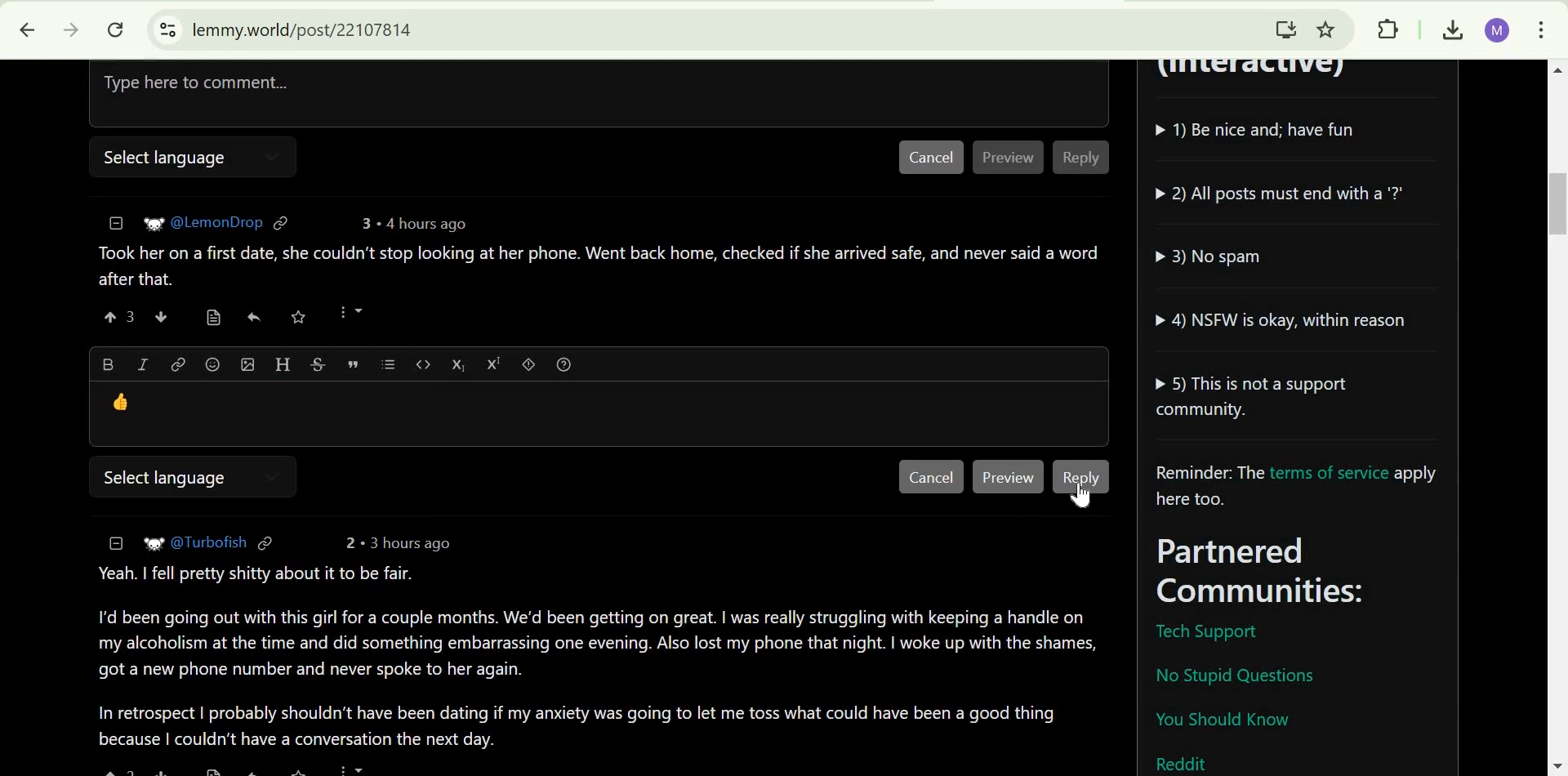 The image size is (1568, 776). Describe the element at coordinates (121, 404) in the screenshot. I see `emoji` at that location.